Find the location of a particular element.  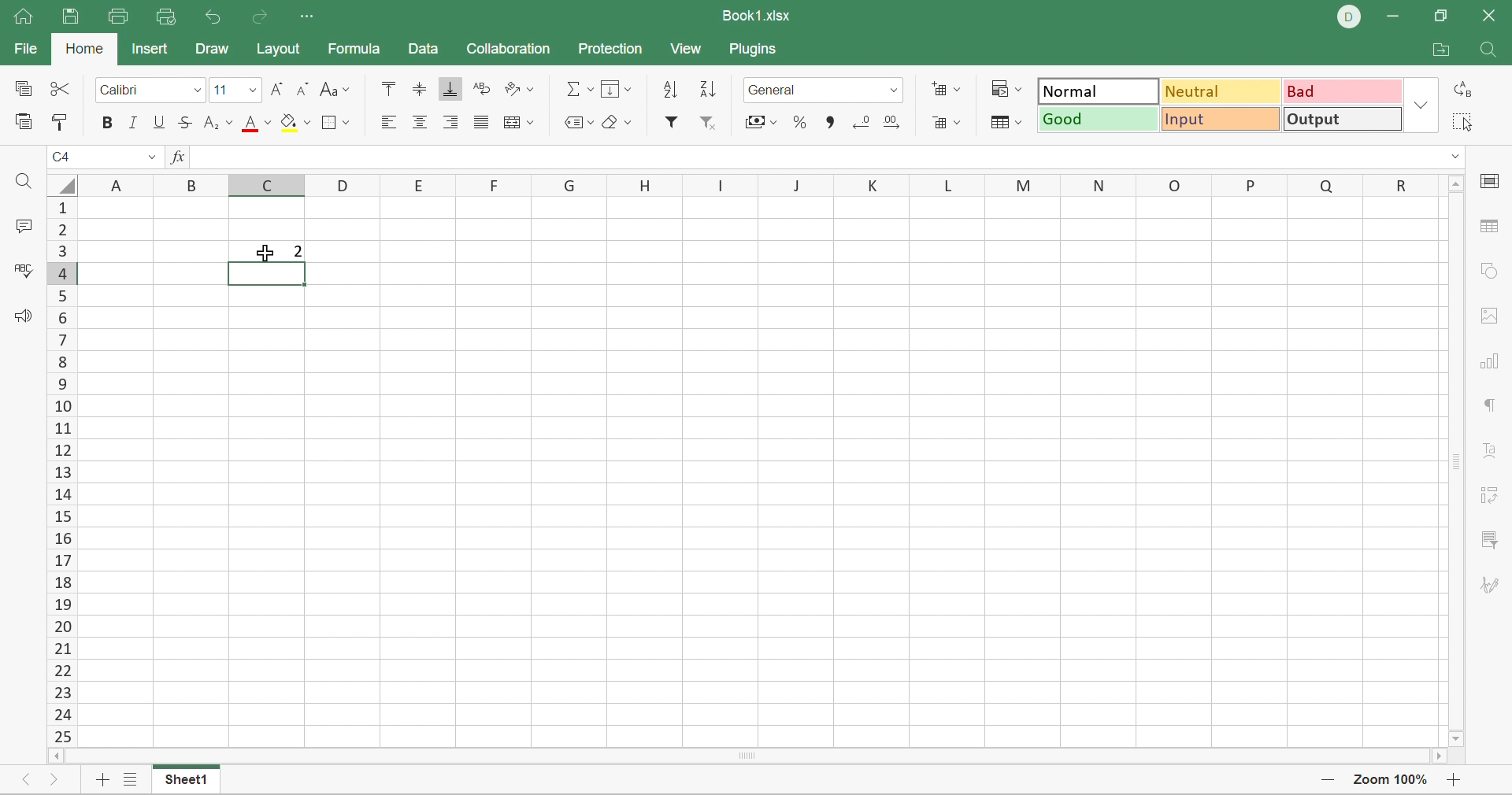

Find is located at coordinates (1490, 49).